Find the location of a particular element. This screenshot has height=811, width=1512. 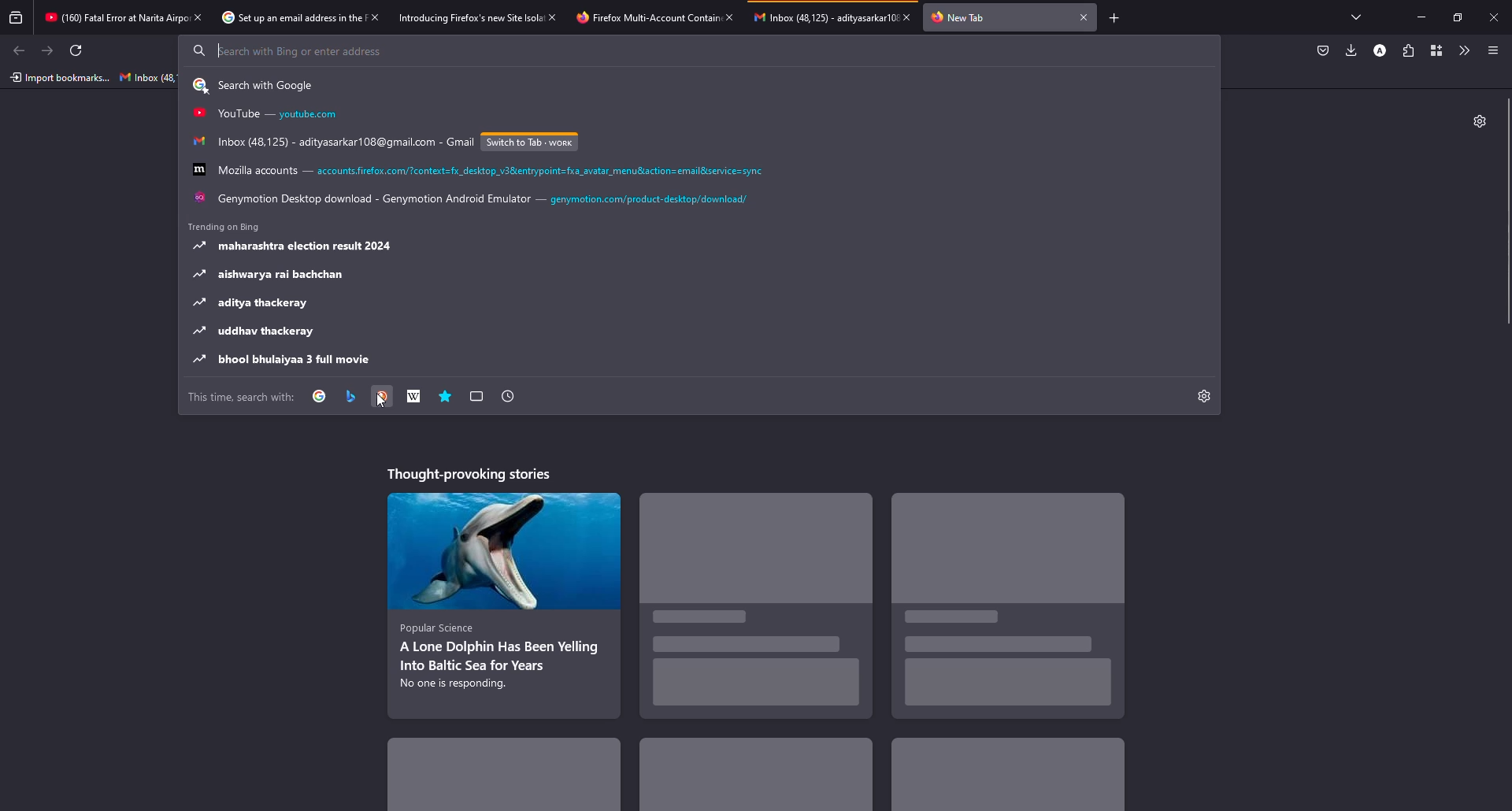

stories is located at coordinates (758, 612).